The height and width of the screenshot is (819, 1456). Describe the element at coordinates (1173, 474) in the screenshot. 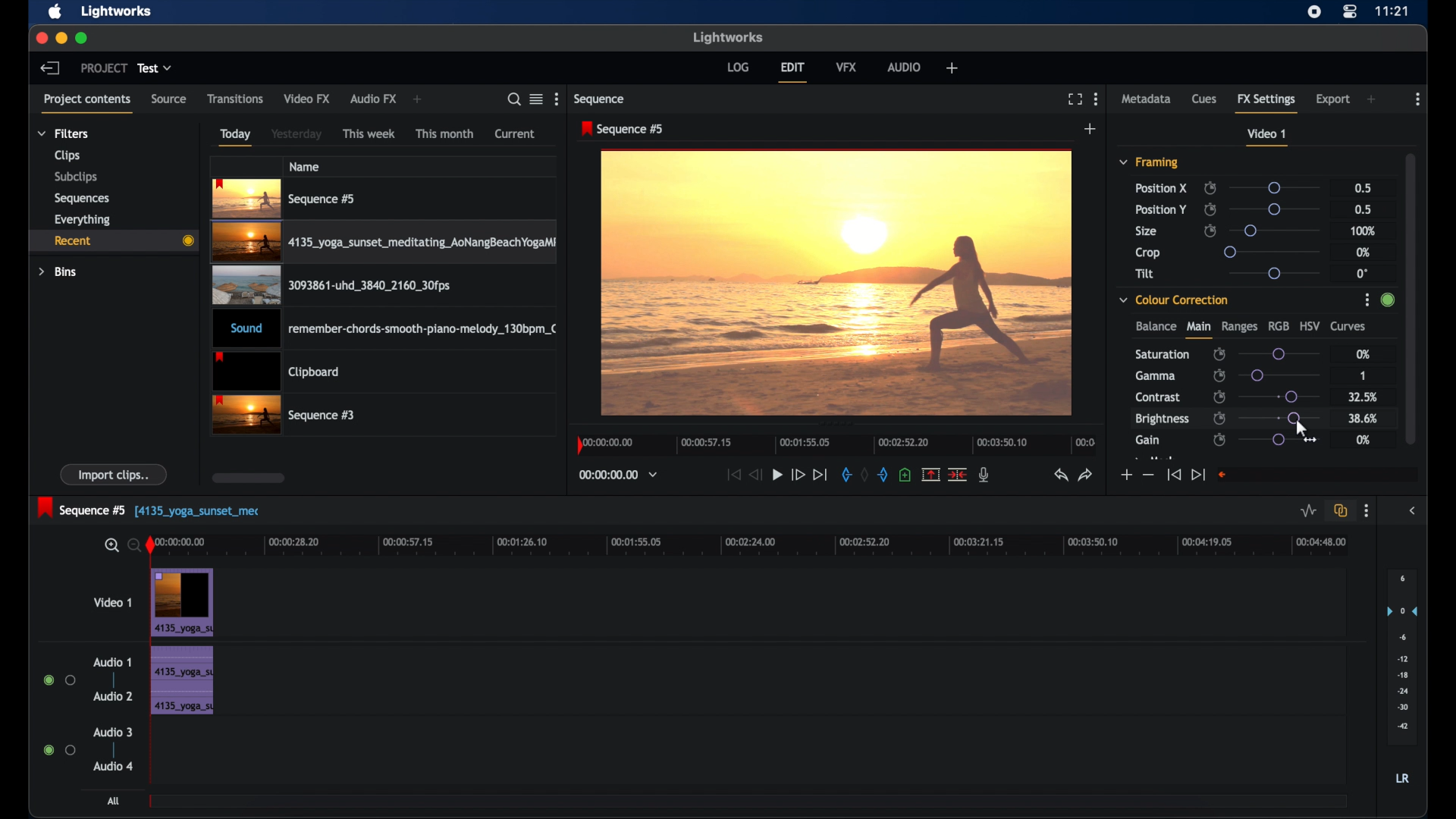

I see `jump to start` at that location.